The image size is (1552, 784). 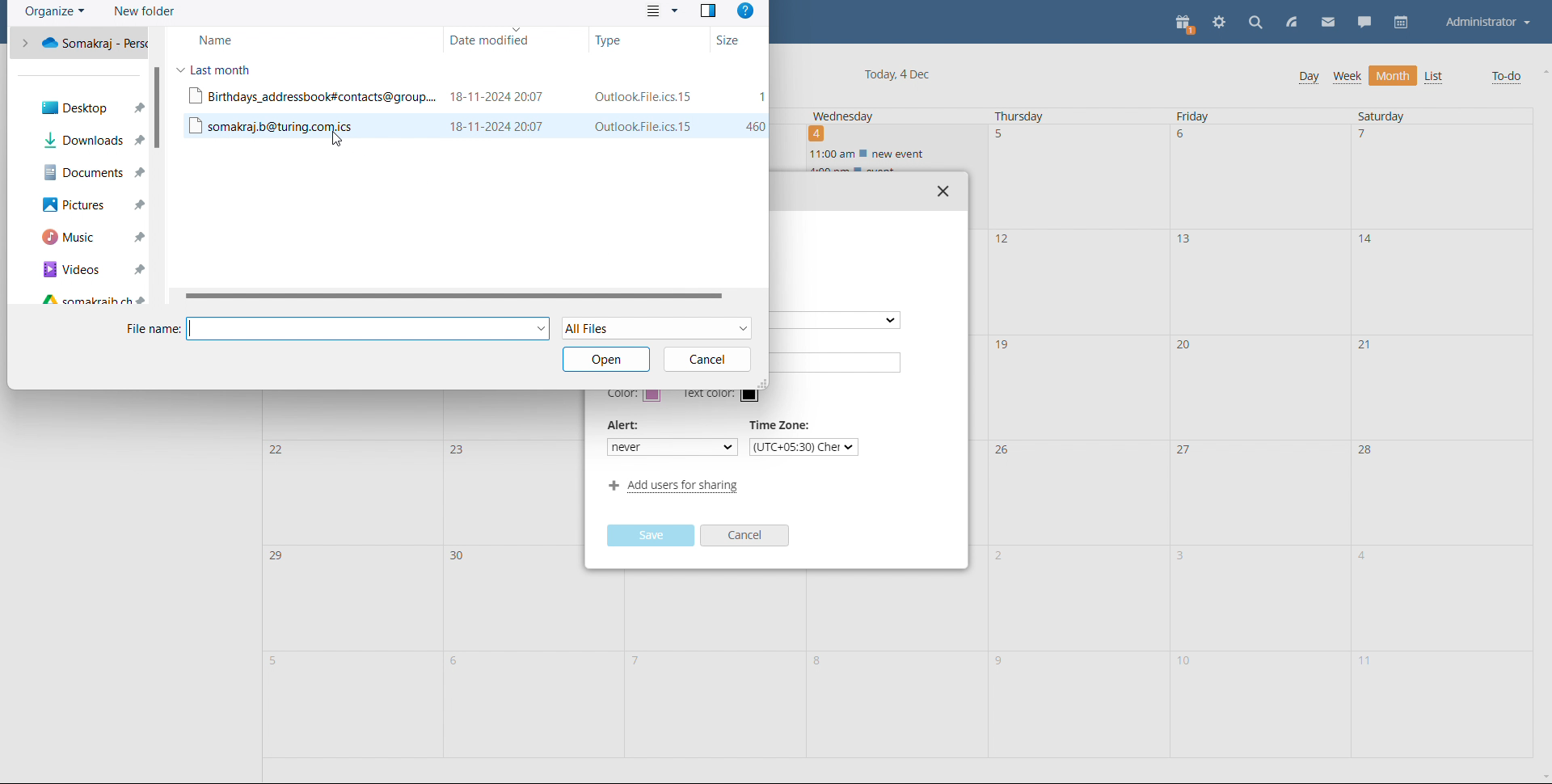 I want to click on , so click(x=735, y=37).